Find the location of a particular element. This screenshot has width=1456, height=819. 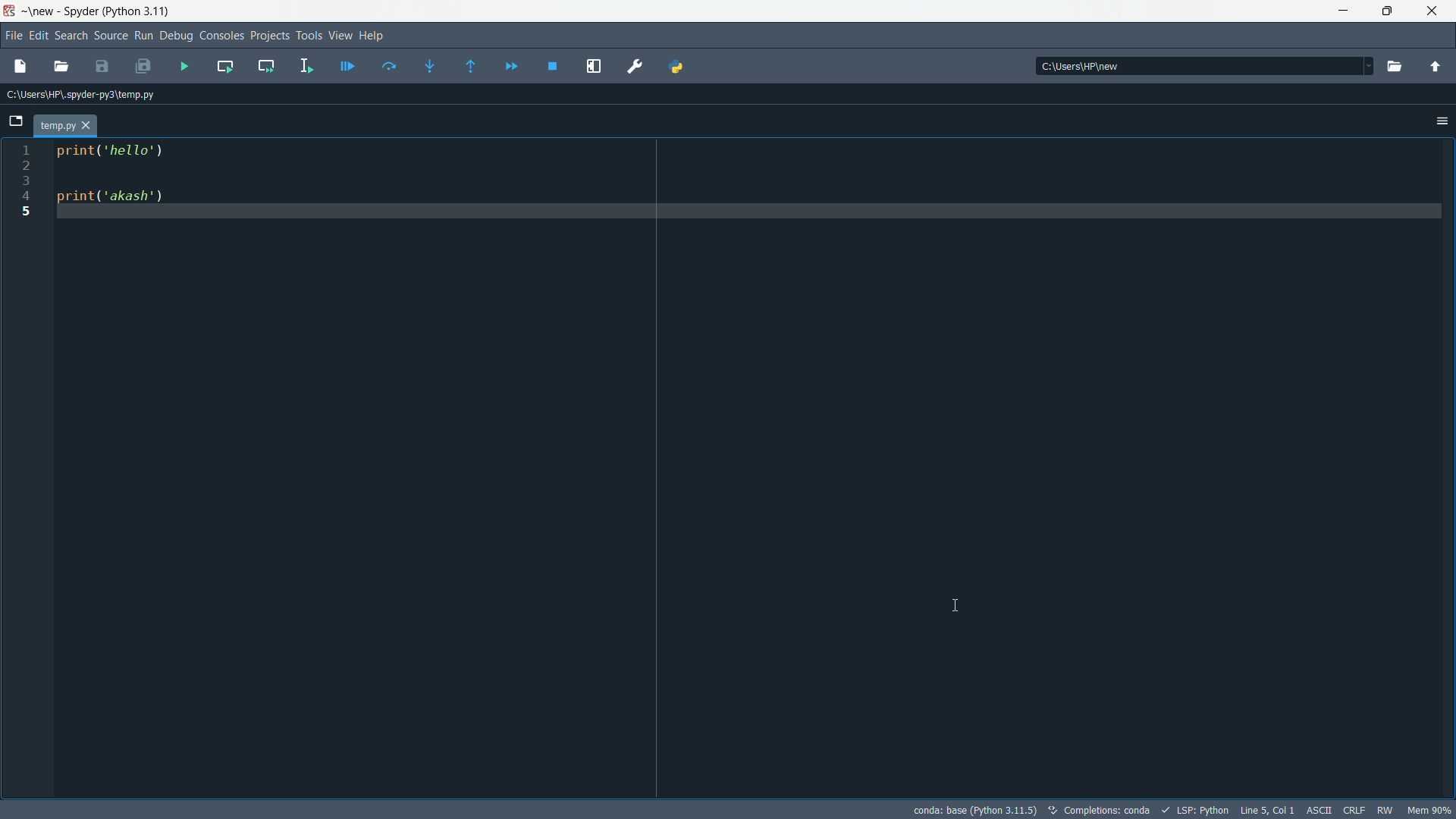

run menu is located at coordinates (143, 36).